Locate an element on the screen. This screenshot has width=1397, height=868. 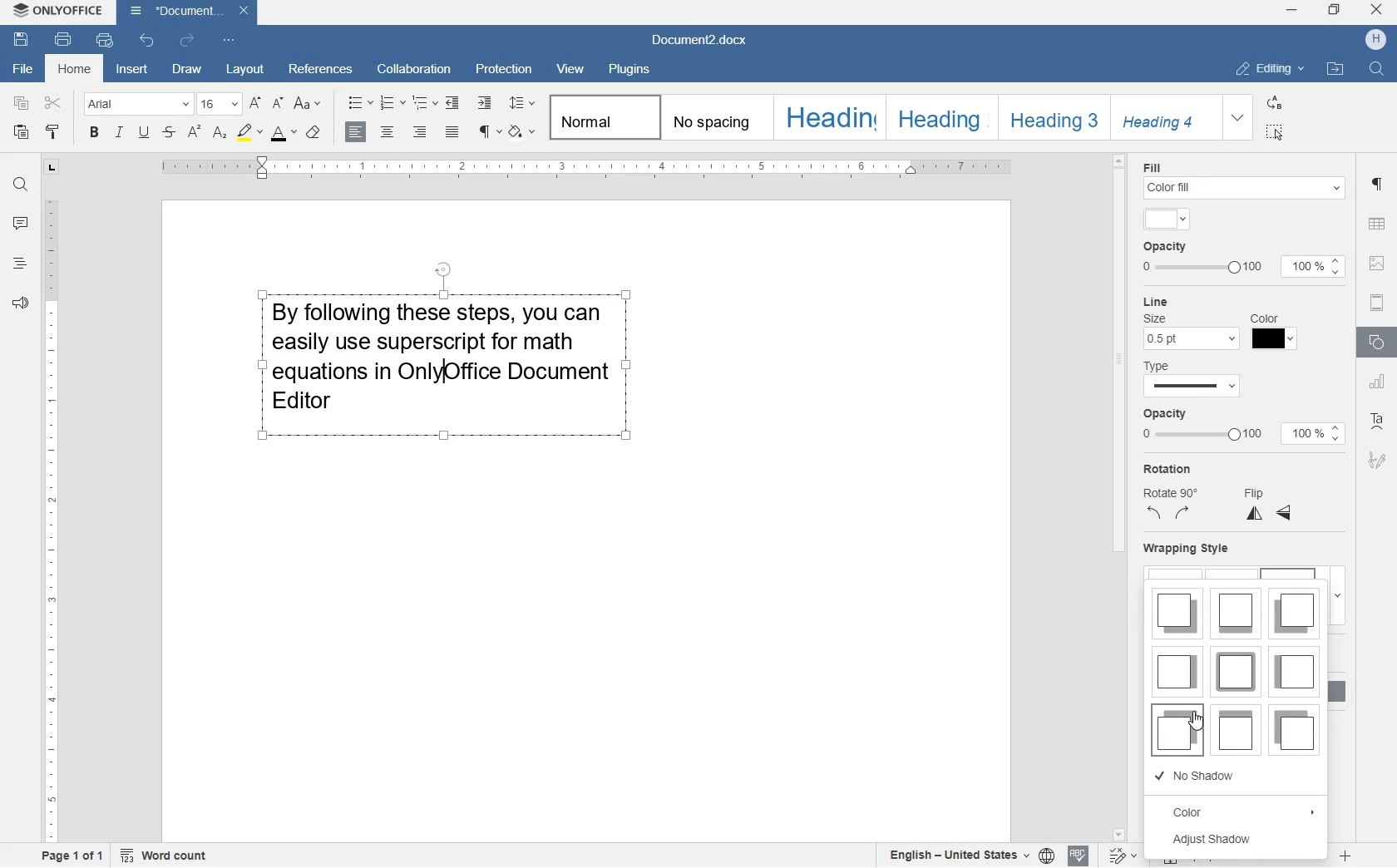
protection is located at coordinates (505, 67).